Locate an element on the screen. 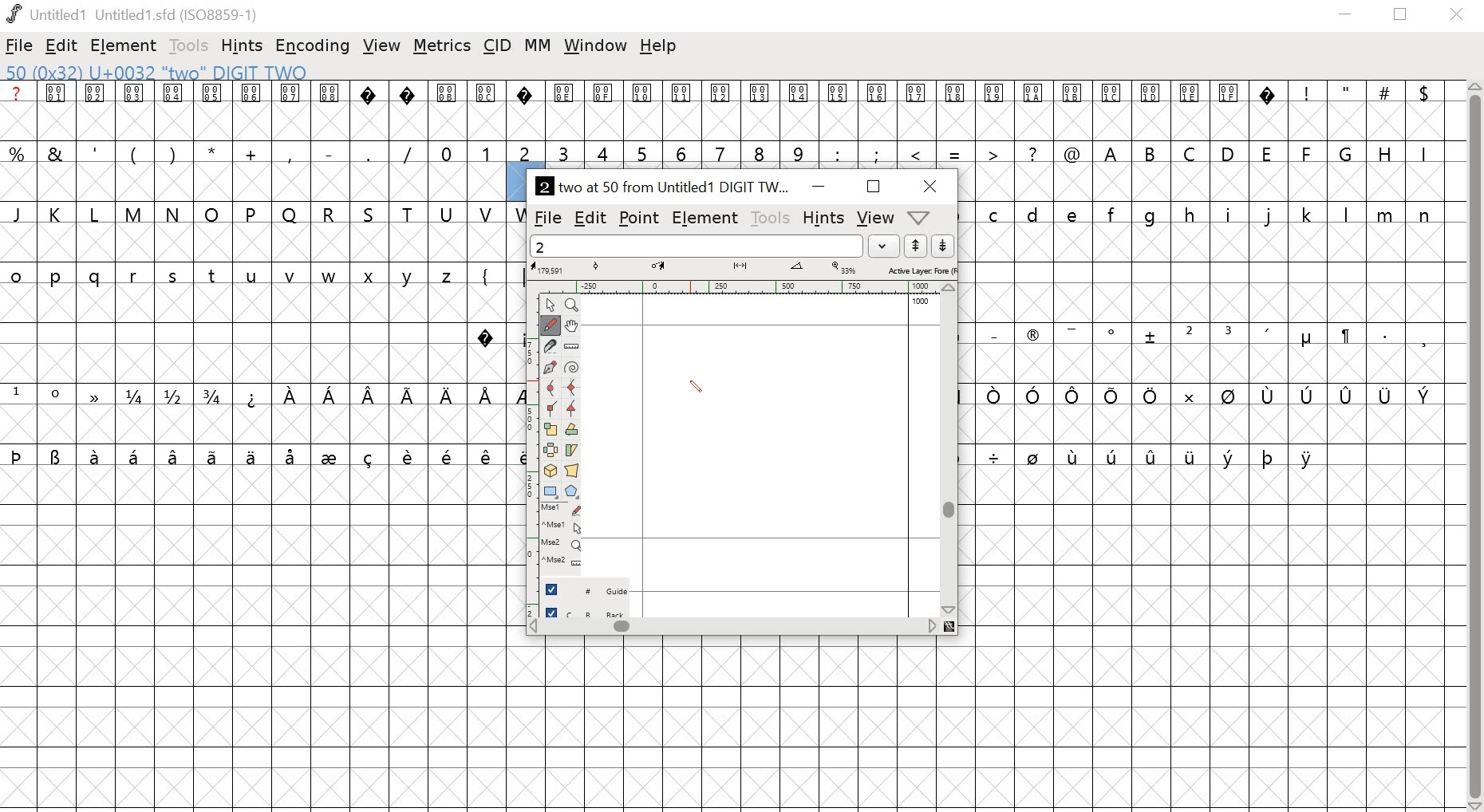 Image resolution: width=1484 pixels, height=812 pixels. pen is located at coordinates (551, 368).